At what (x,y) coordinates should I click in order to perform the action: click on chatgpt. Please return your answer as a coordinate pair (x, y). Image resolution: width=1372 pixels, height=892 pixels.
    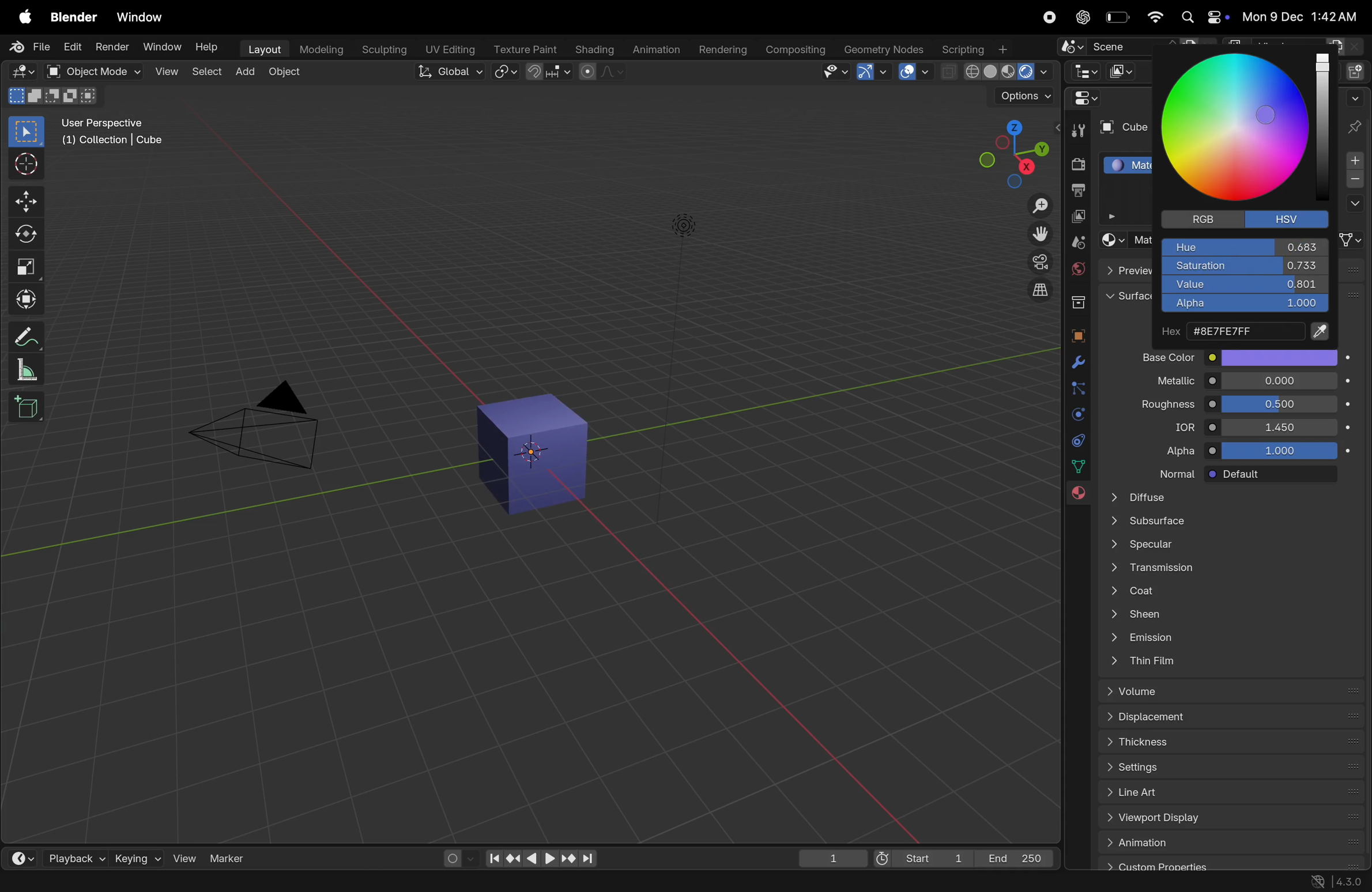
    Looking at the image, I should click on (1079, 17).